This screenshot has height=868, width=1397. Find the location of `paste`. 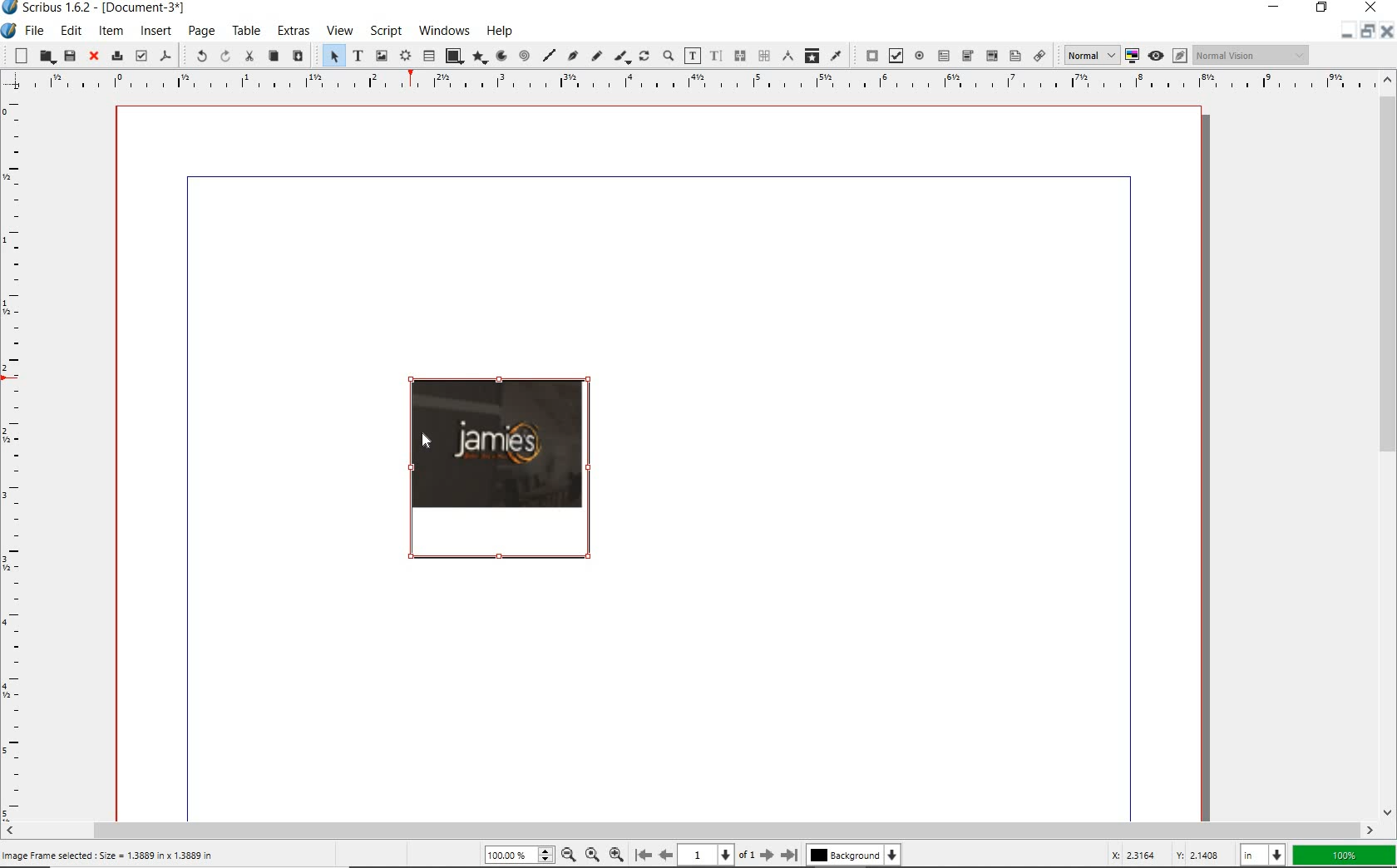

paste is located at coordinates (299, 57).